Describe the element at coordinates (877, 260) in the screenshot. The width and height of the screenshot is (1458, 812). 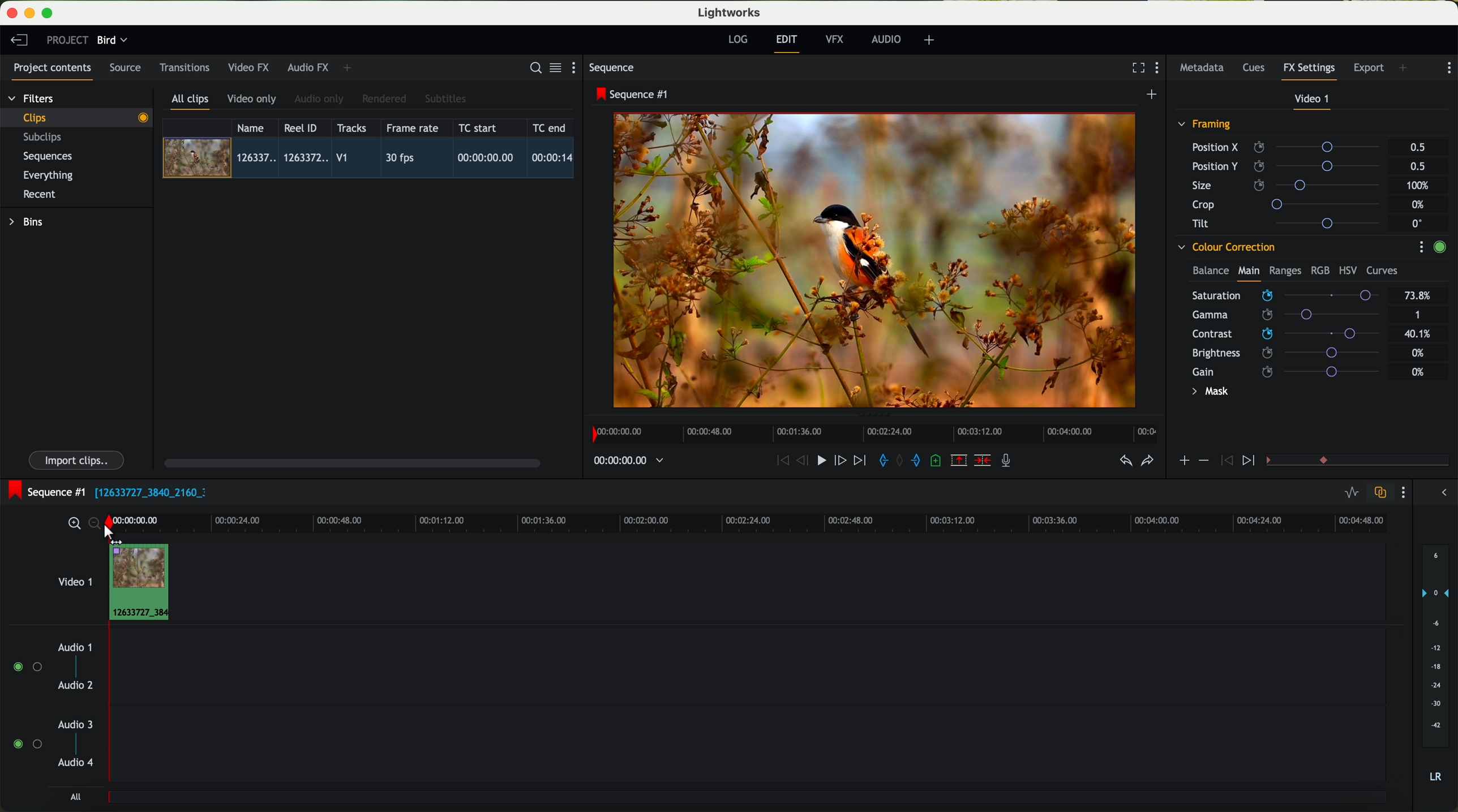
I see `applied effect` at that location.